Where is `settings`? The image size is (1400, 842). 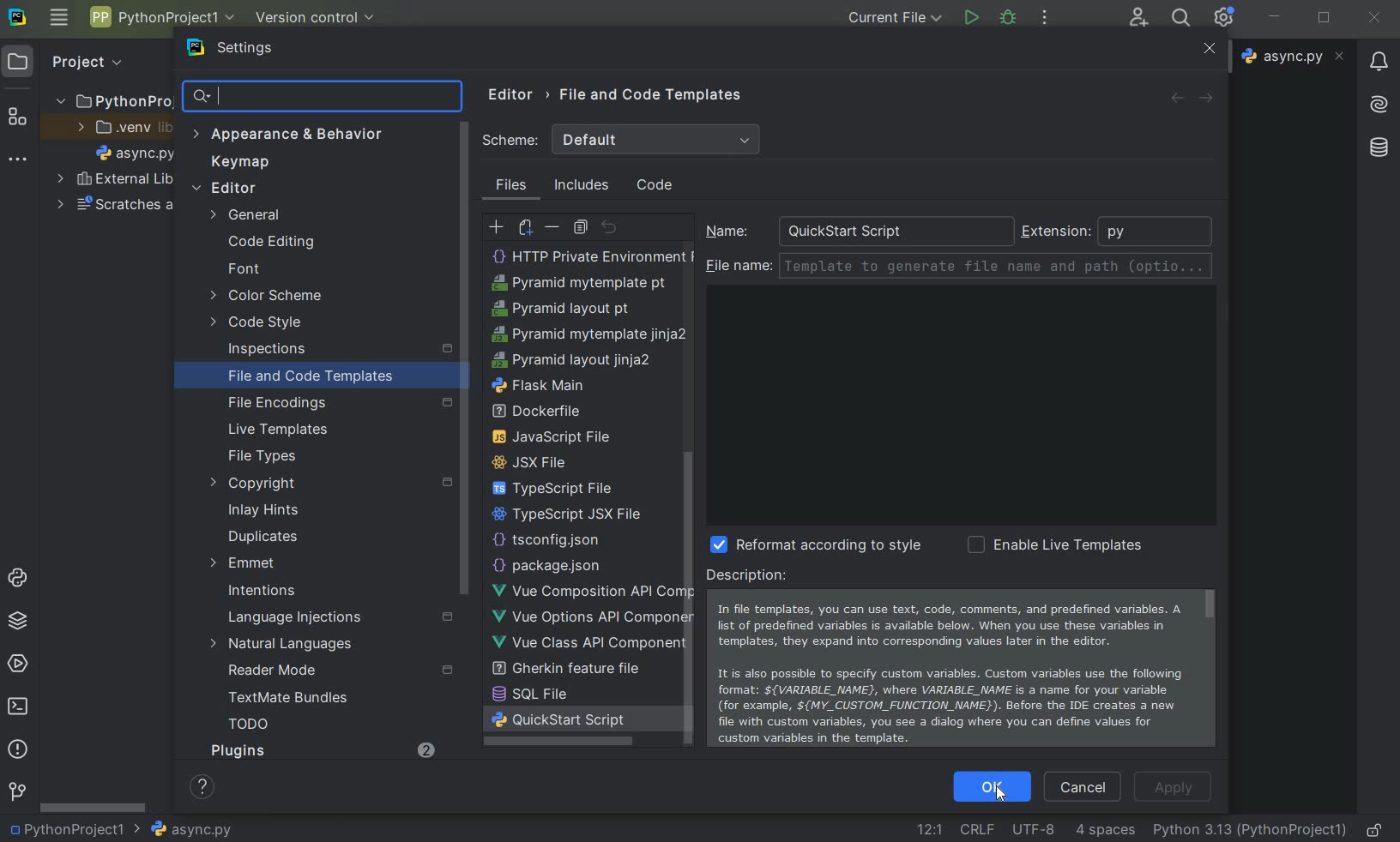
settings is located at coordinates (251, 48).